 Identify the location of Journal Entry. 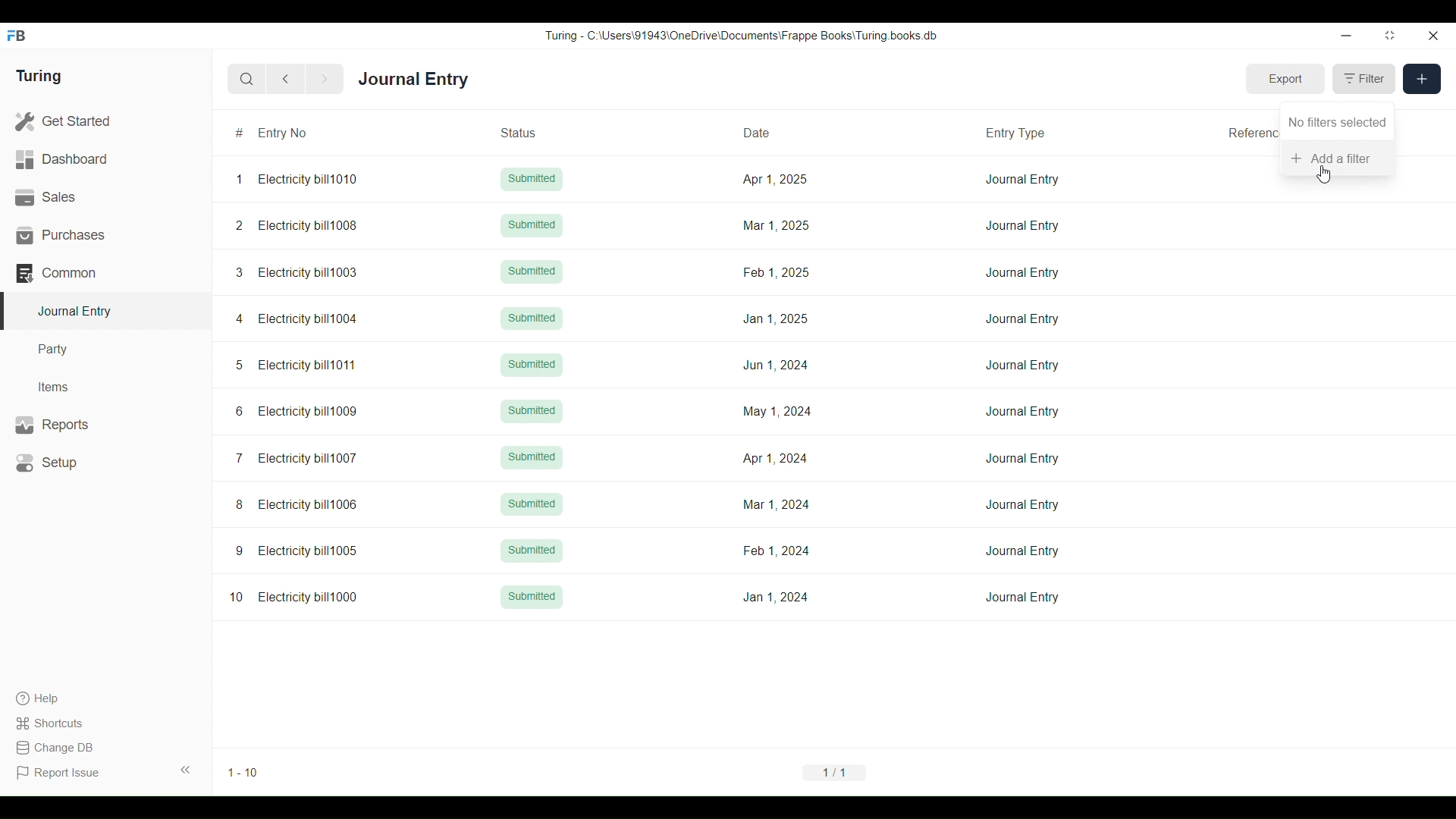
(1022, 179).